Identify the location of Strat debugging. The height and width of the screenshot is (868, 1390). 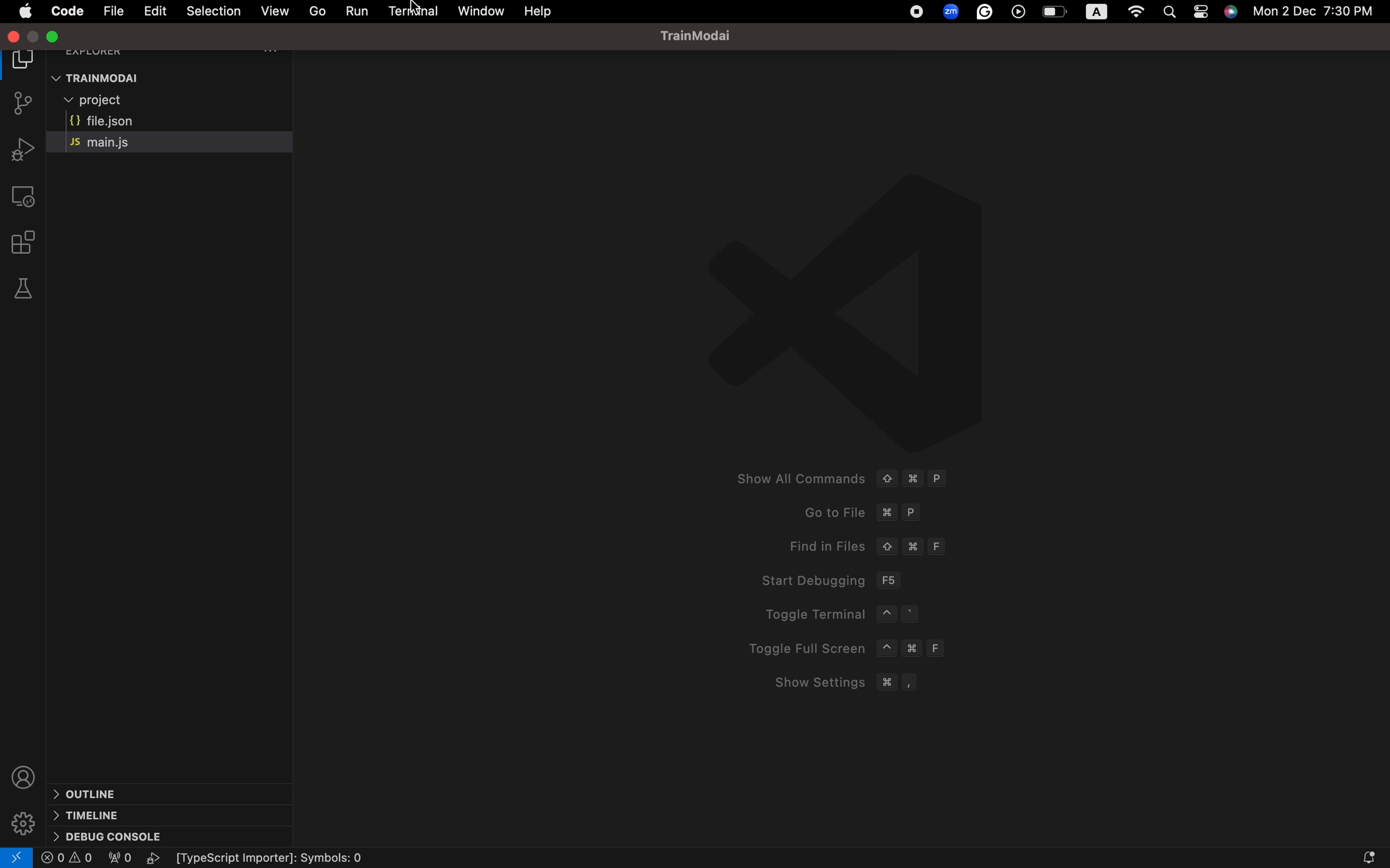
(828, 579).